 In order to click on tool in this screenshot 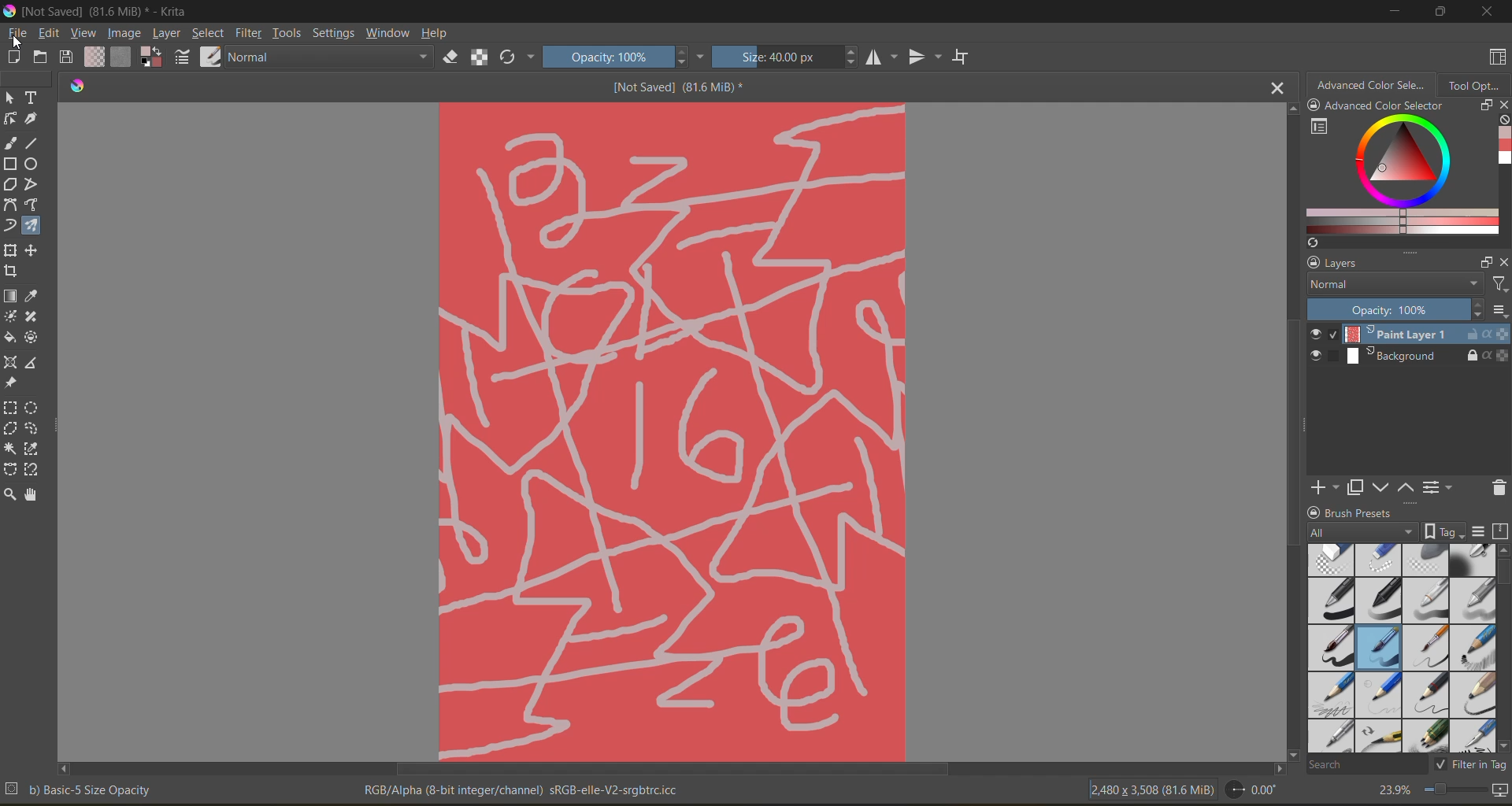, I will do `click(33, 183)`.